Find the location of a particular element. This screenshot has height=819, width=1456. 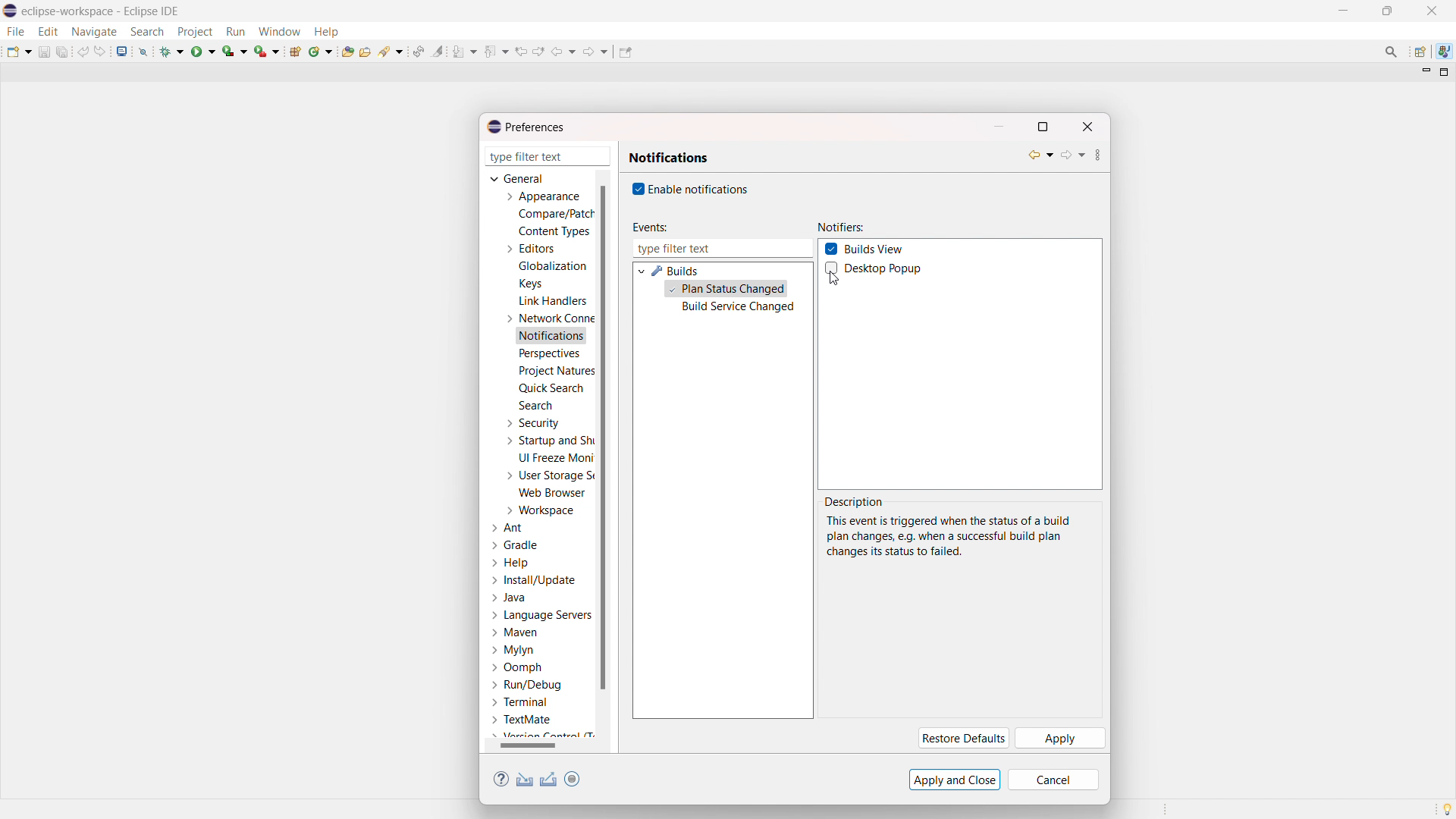

help is located at coordinates (501, 780).